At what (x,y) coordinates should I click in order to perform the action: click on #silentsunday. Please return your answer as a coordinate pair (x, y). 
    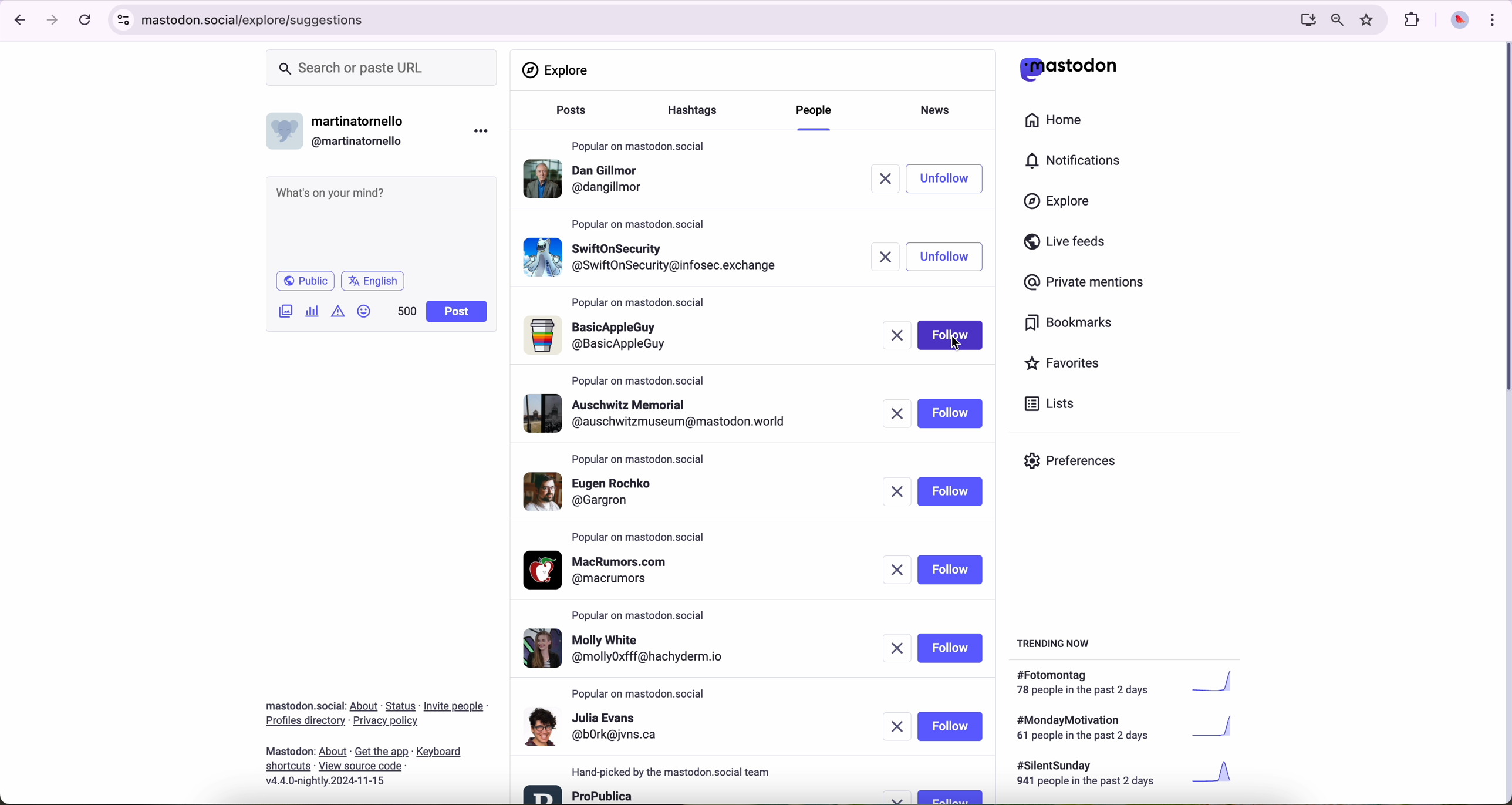
    Looking at the image, I should click on (1128, 775).